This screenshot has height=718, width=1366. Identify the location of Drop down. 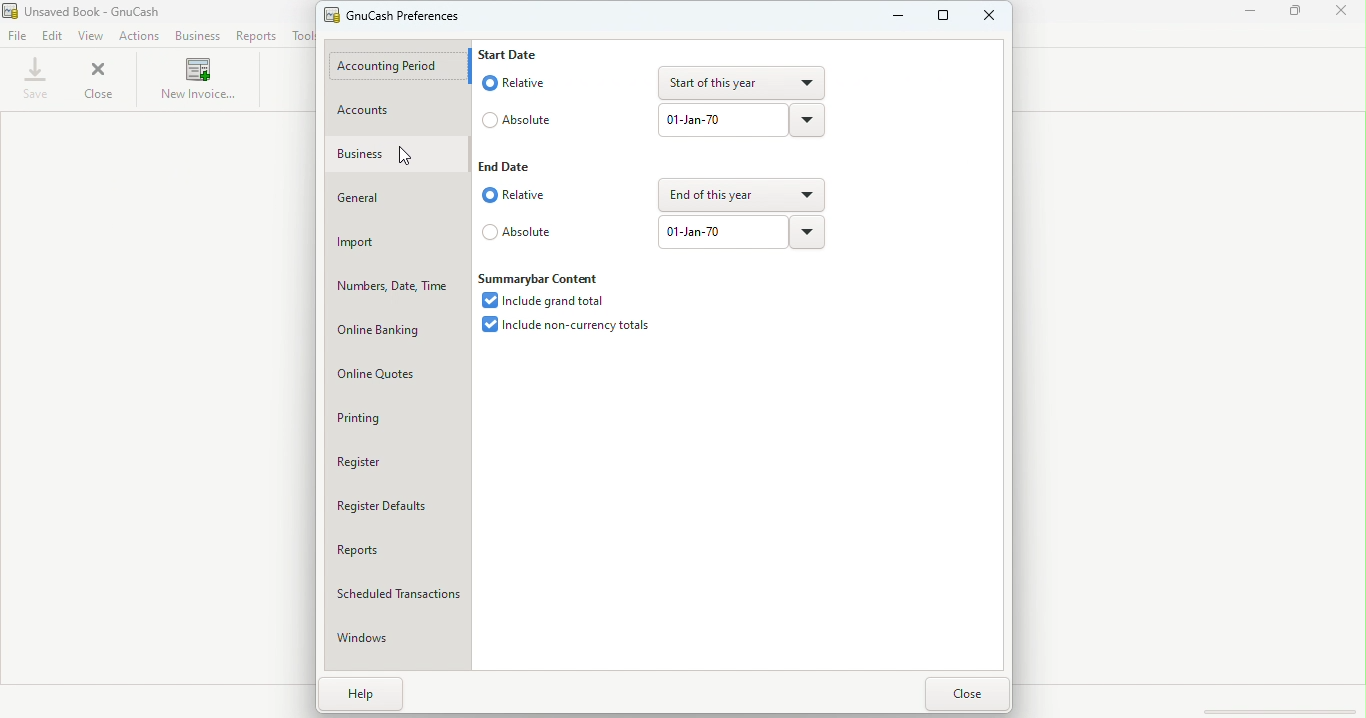
(812, 120).